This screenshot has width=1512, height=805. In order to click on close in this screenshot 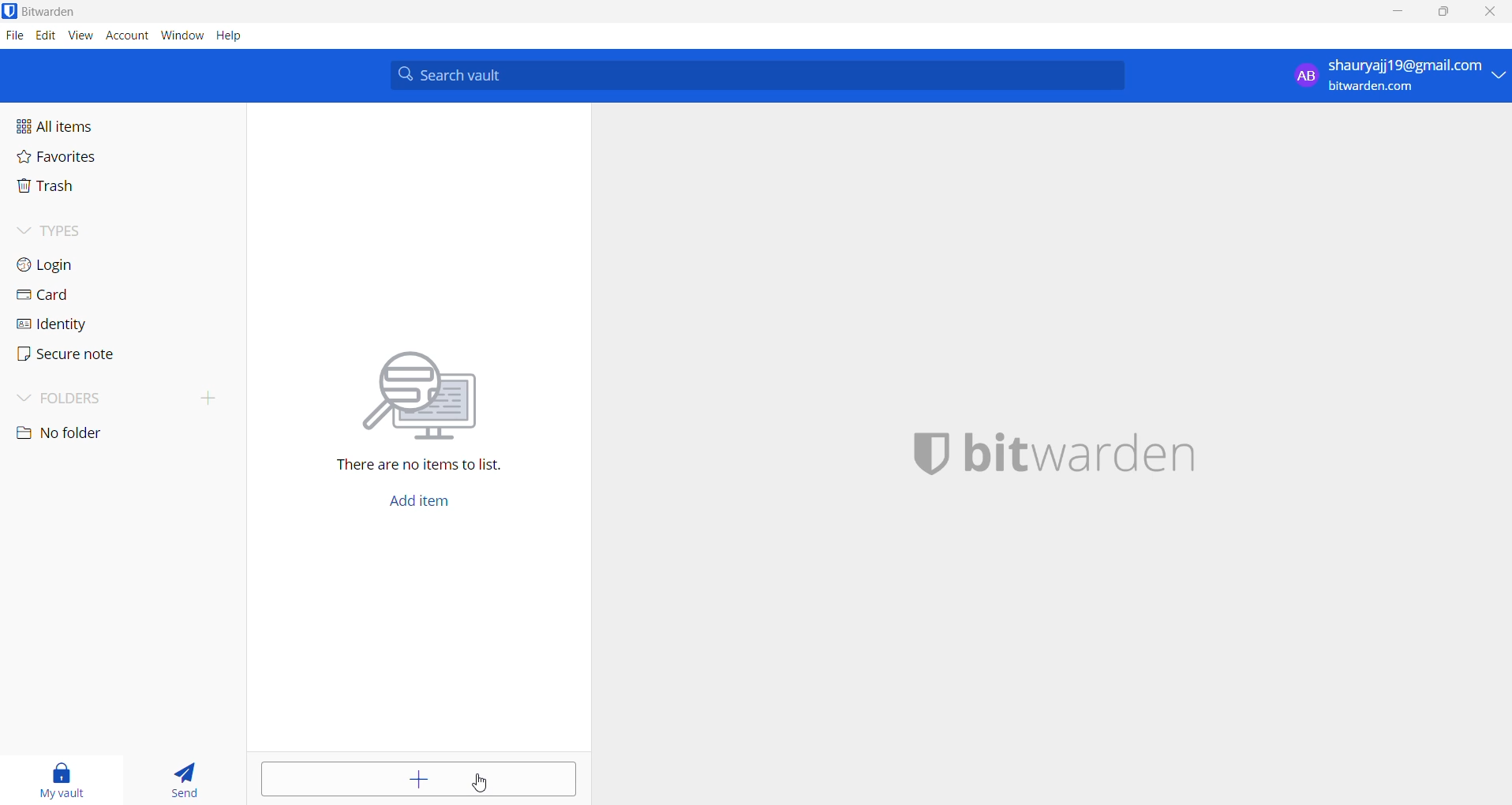, I will do `click(1495, 12)`.